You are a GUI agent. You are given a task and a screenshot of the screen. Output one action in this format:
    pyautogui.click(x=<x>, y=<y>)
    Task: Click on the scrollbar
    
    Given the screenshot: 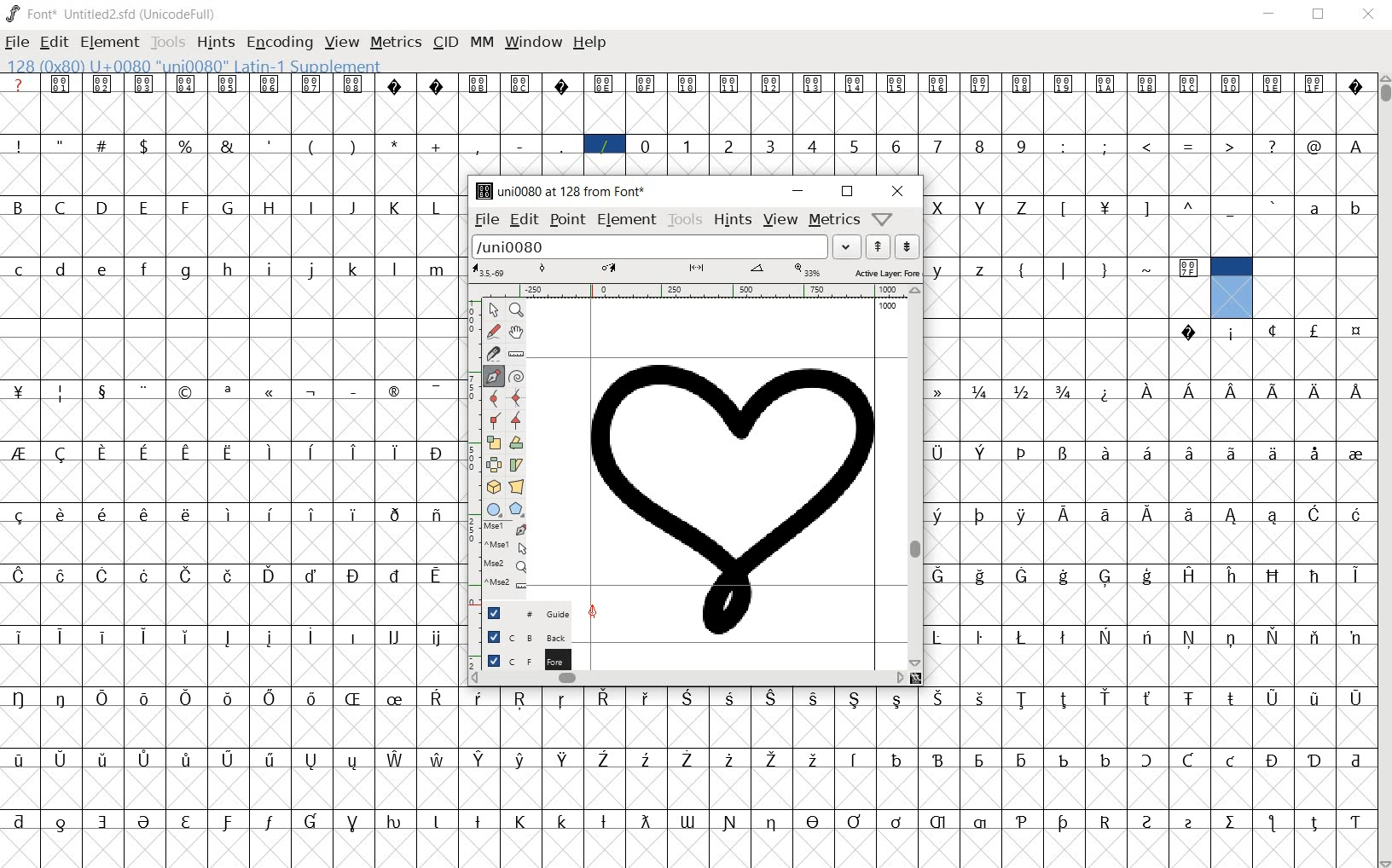 What is the action you would take?
    pyautogui.click(x=915, y=477)
    